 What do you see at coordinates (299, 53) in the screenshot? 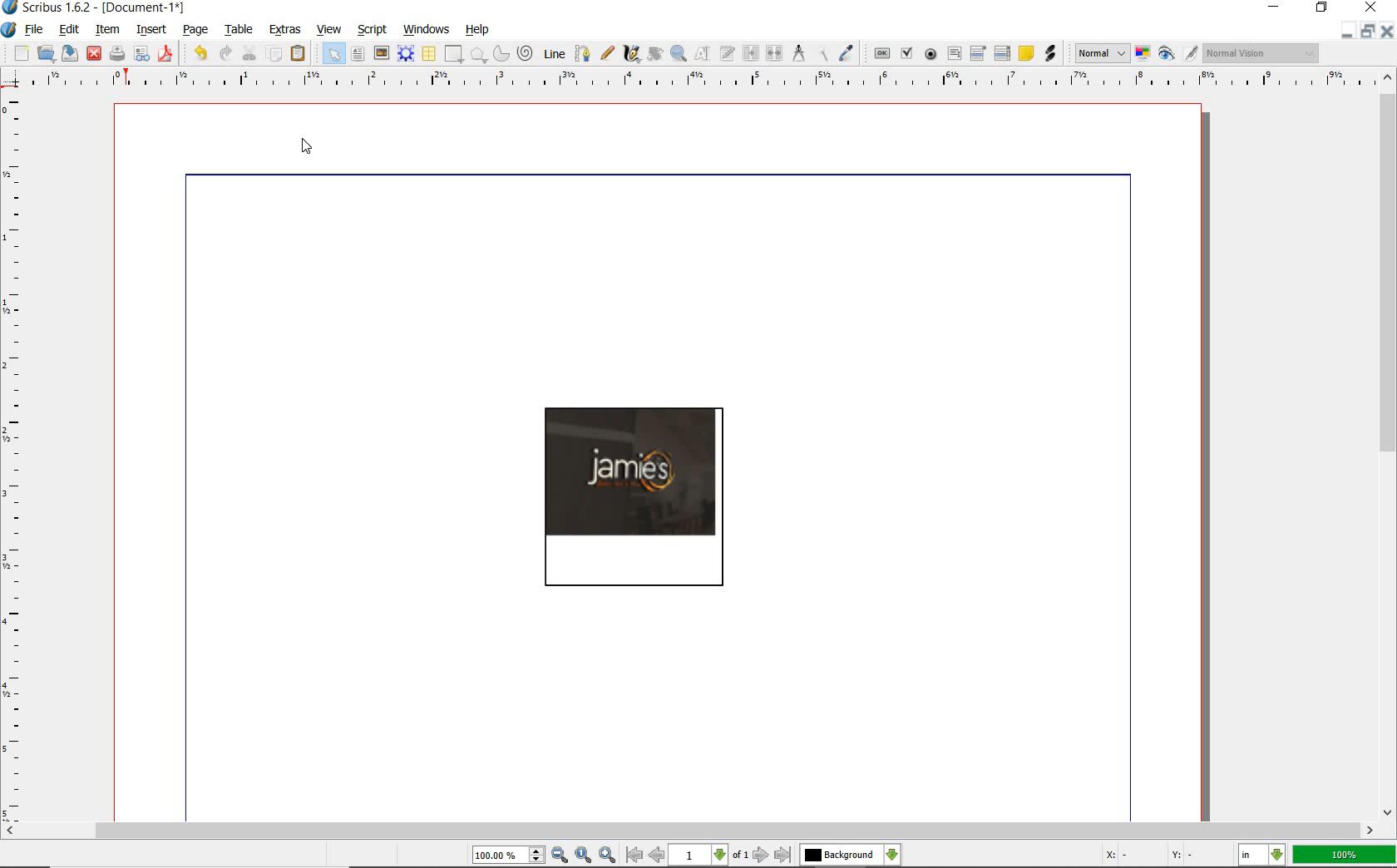
I see `paste` at bounding box center [299, 53].